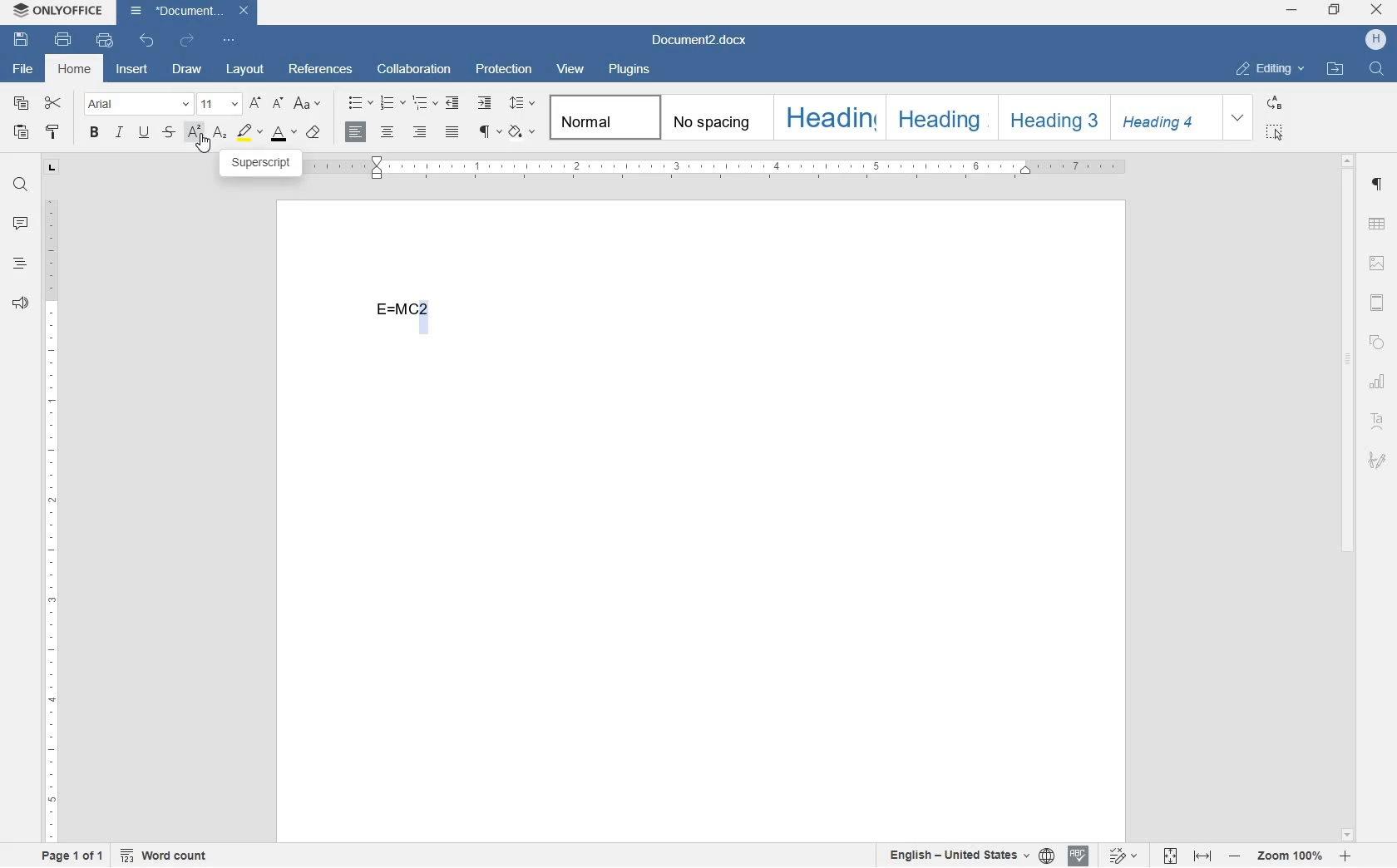 The image size is (1397, 868). Describe the element at coordinates (713, 116) in the screenshot. I see `no spacing` at that location.